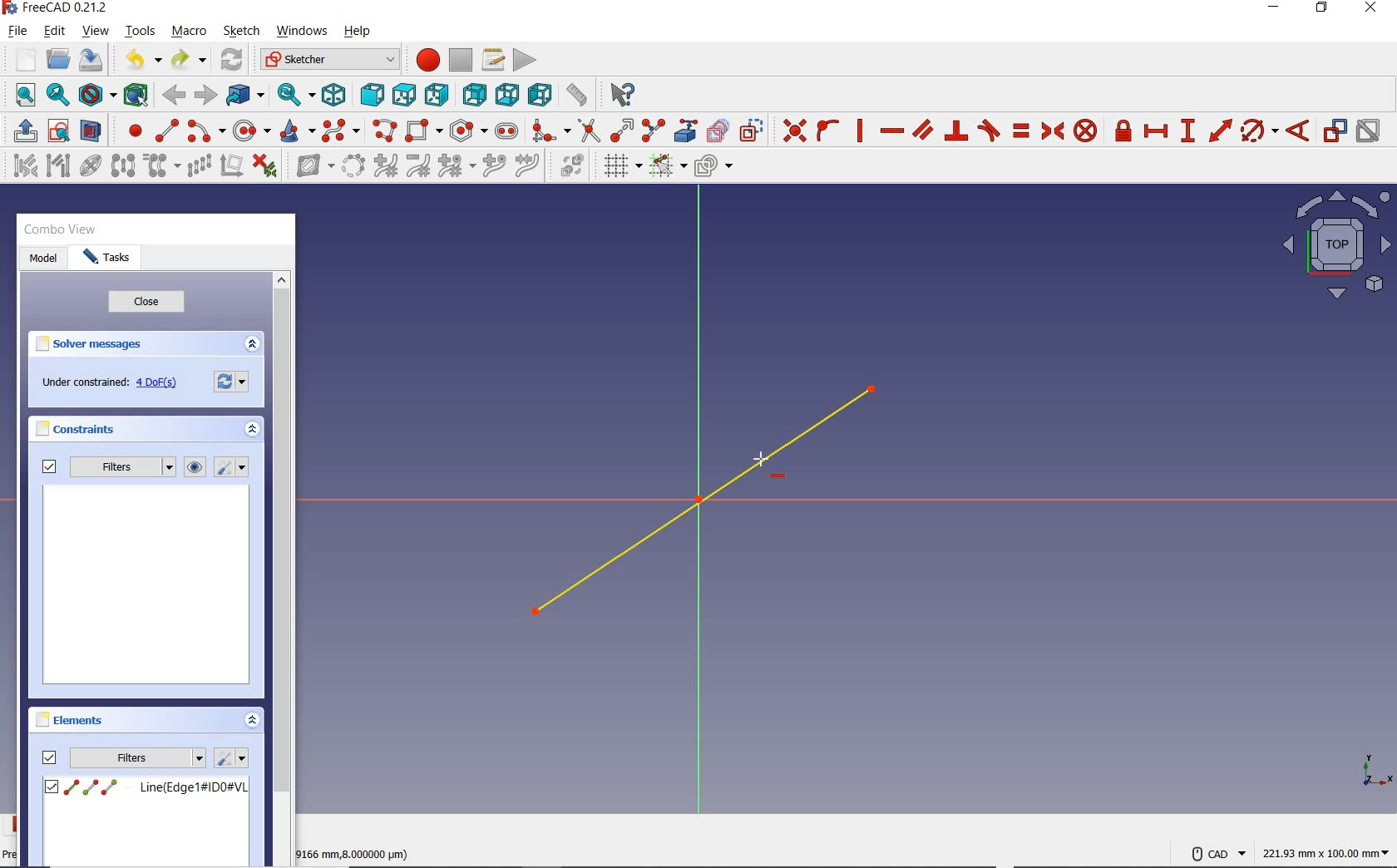 The width and height of the screenshot is (1397, 868). I want to click on CONSTRAIN TANGENT, so click(989, 130).